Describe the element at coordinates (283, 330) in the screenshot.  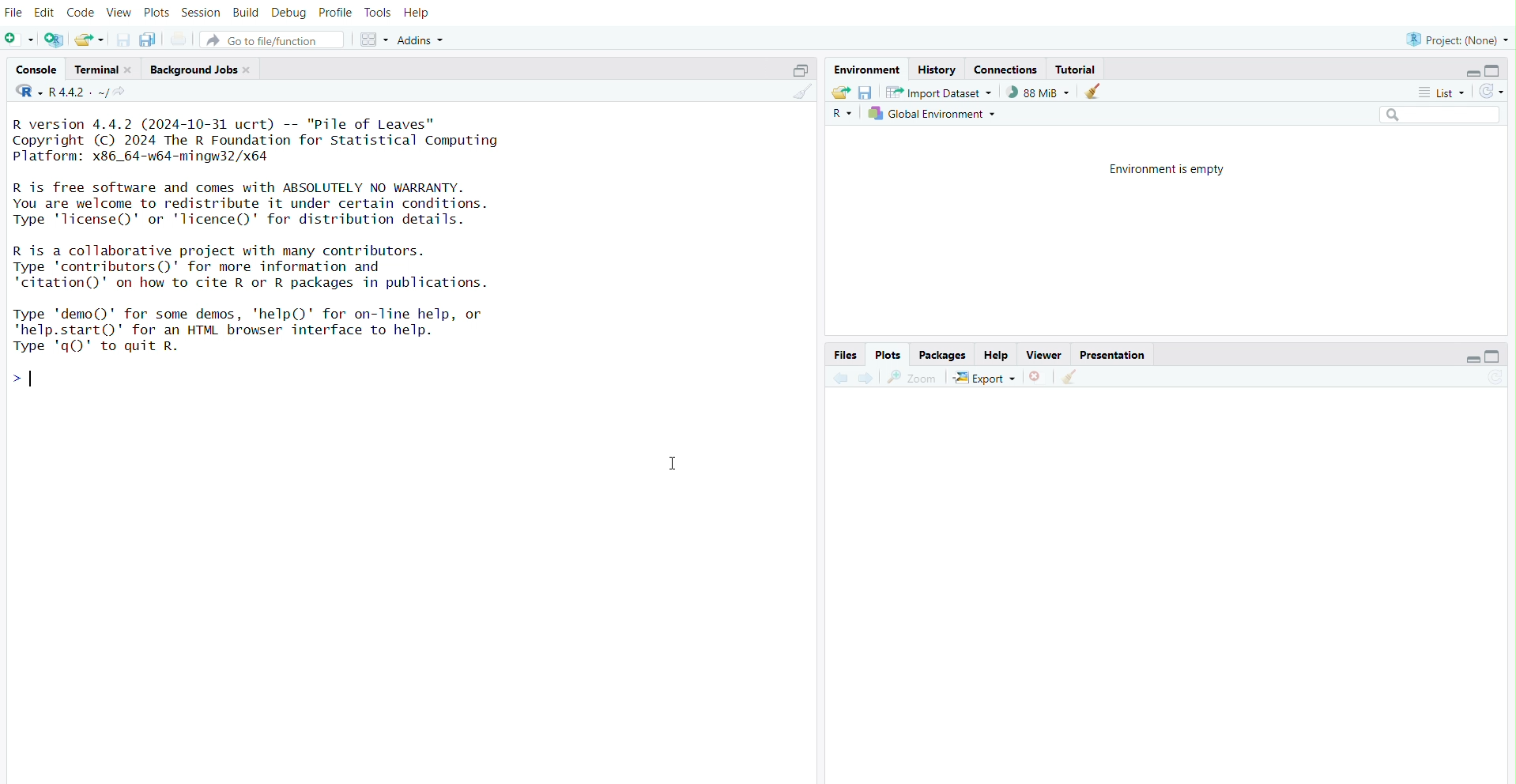
I see `details of R demo and help` at that location.